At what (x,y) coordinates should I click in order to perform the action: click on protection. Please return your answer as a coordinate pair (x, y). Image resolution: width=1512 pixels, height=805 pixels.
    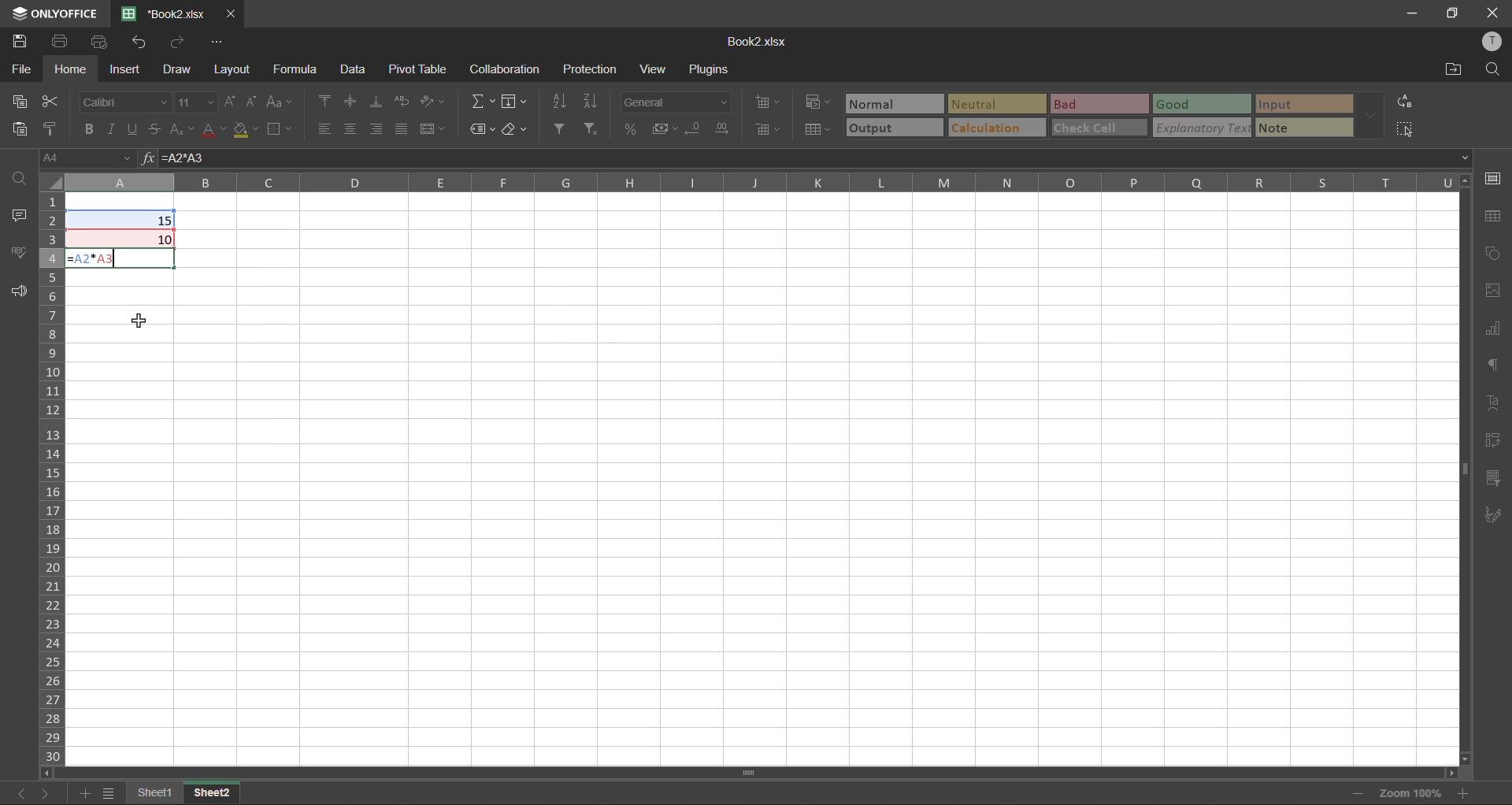
    Looking at the image, I should click on (593, 69).